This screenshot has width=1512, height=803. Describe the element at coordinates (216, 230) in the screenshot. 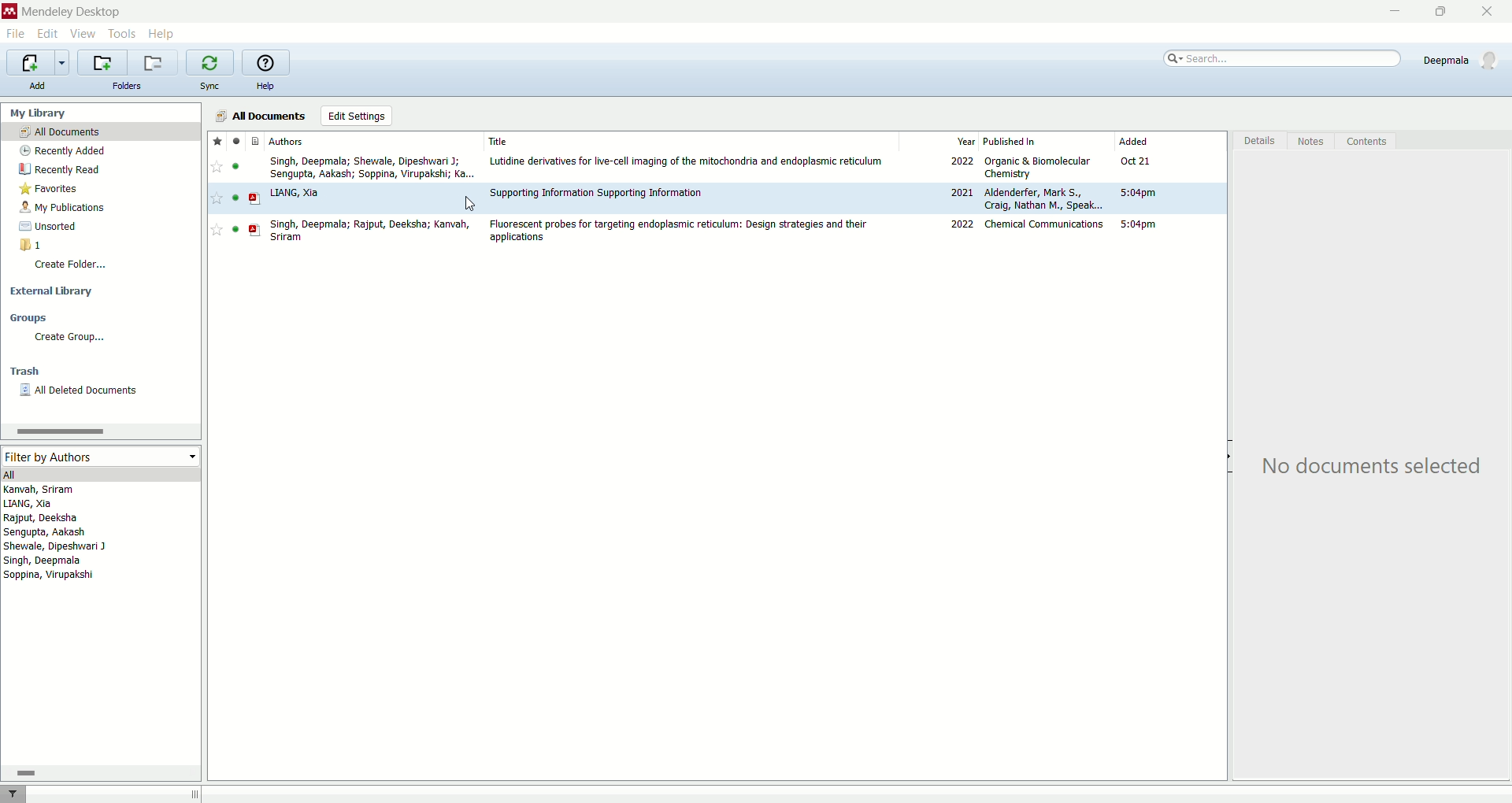

I see `favorite` at that location.